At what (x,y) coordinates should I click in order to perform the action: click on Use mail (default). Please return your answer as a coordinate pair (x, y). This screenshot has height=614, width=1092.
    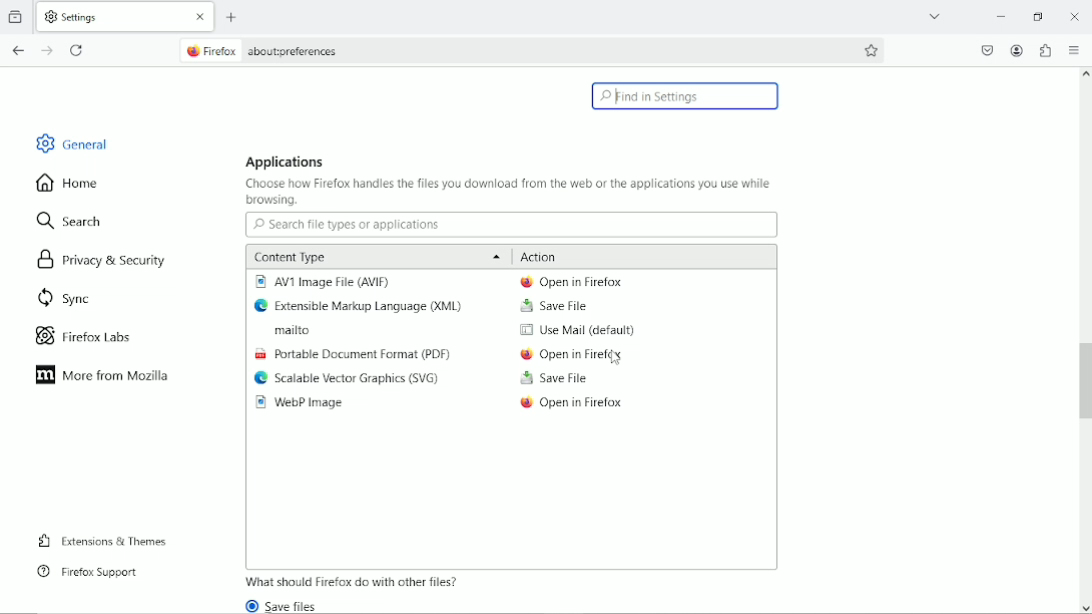
    Looking at the image, I should click on (576, 331).